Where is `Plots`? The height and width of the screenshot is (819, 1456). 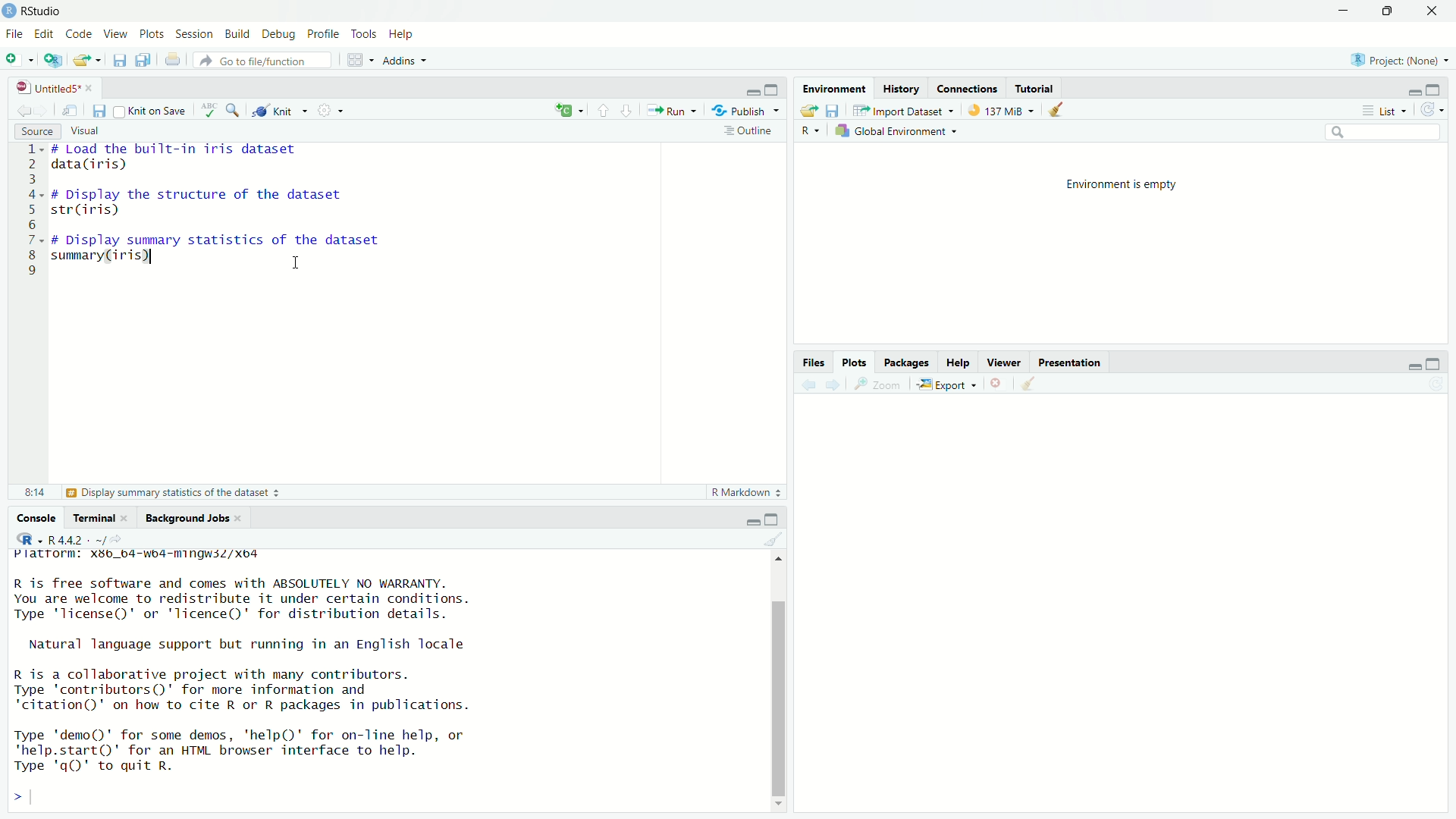 Plots is located at coordinates (152, 33).